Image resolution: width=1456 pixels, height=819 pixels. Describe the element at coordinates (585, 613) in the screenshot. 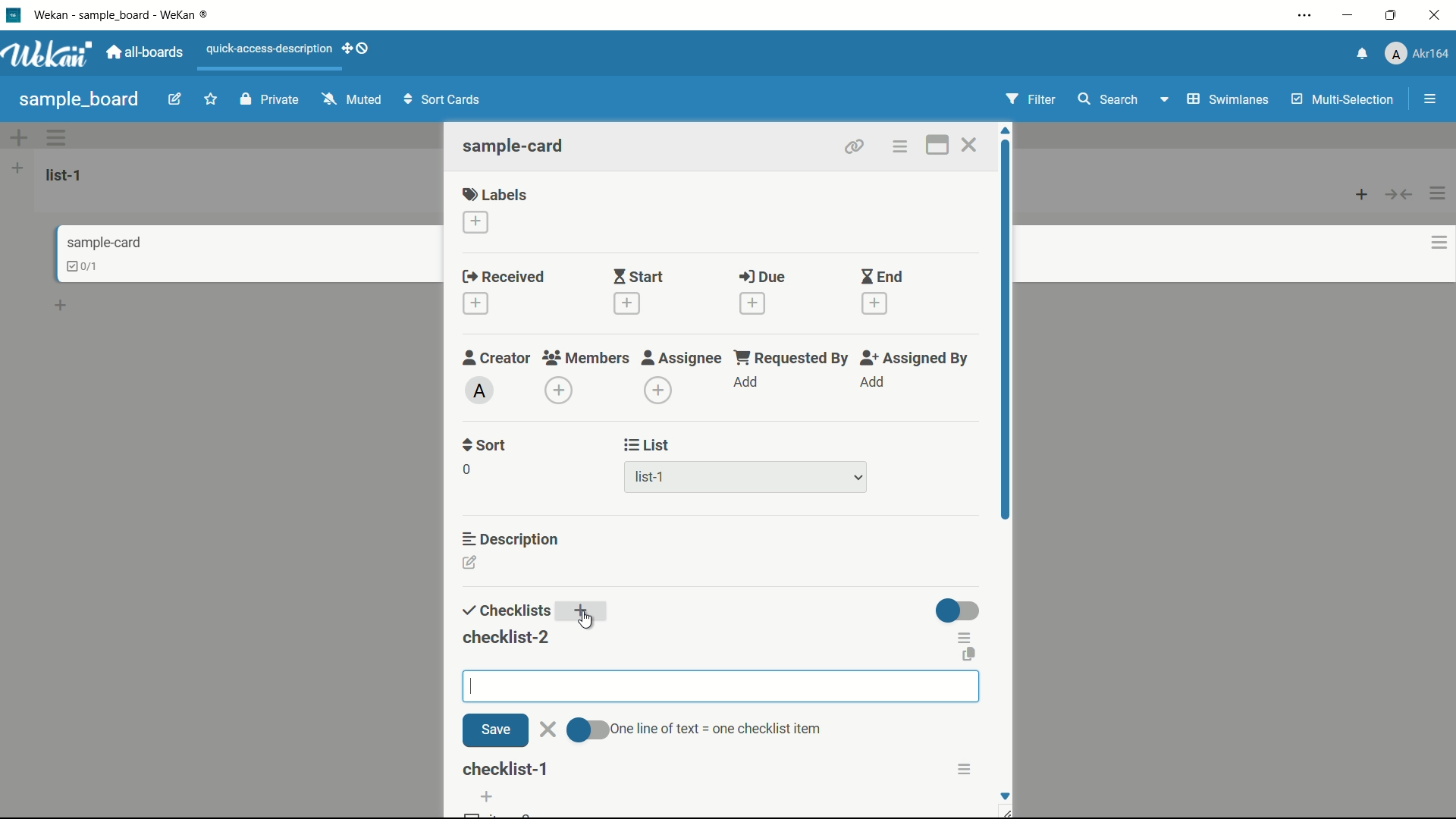

I see `add` at that location.